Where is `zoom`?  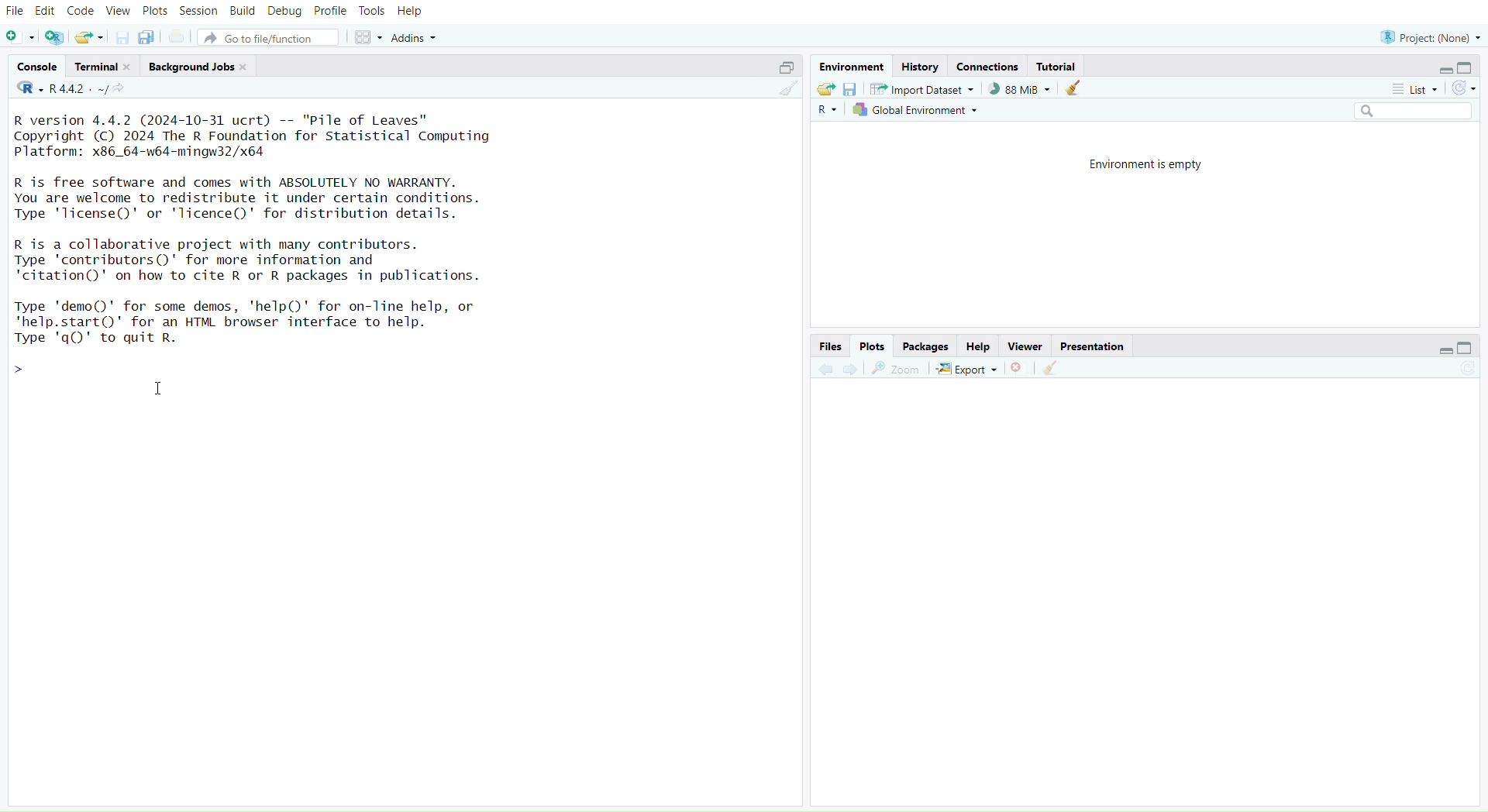 zoom is located at coordinates (897, 370).